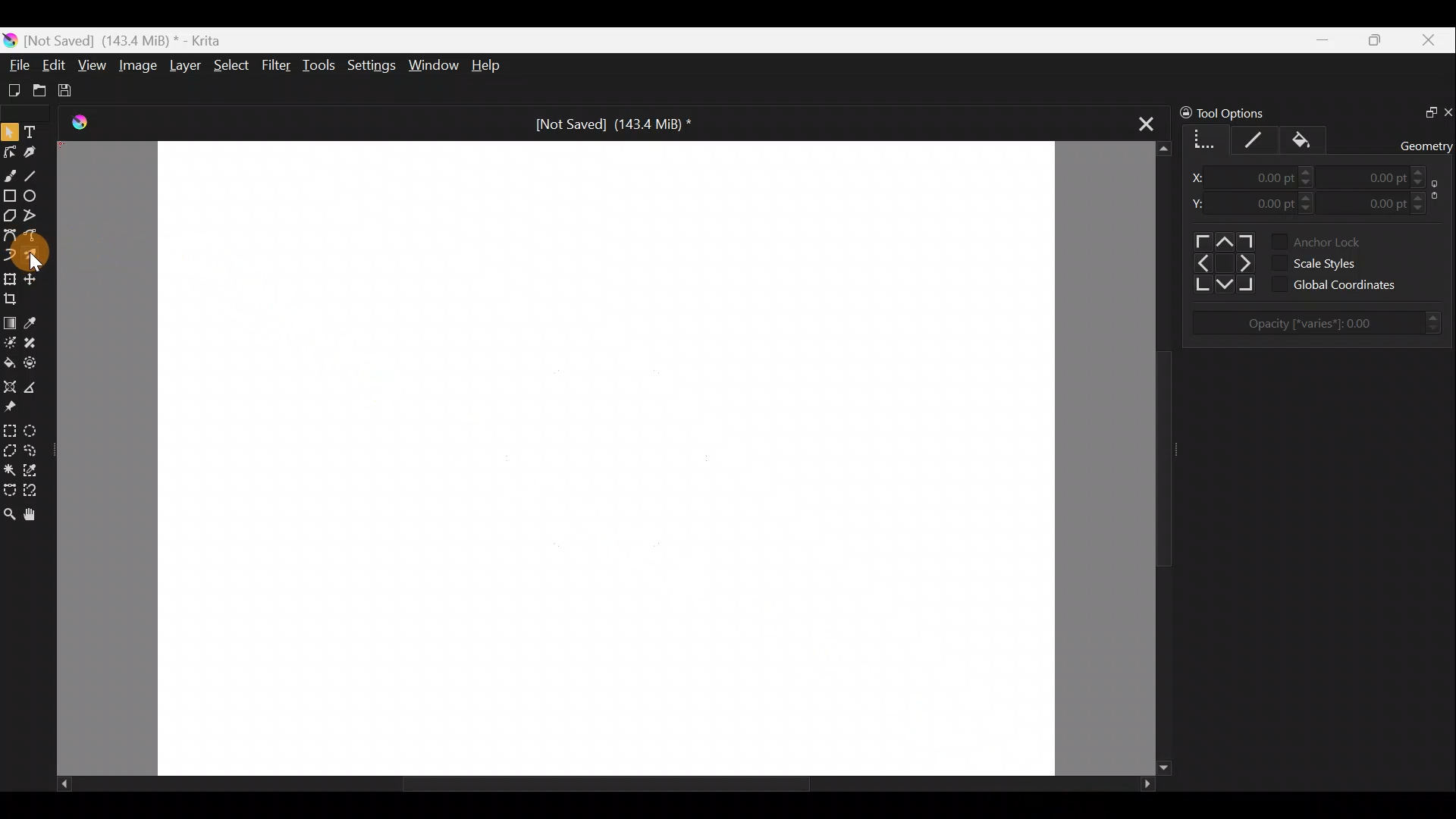 The image size is (1456, 819). What do you see at coordinates (35, 428) in the screenshot?
I see `Elliptical selection tool` at bounding box center [35, 428].